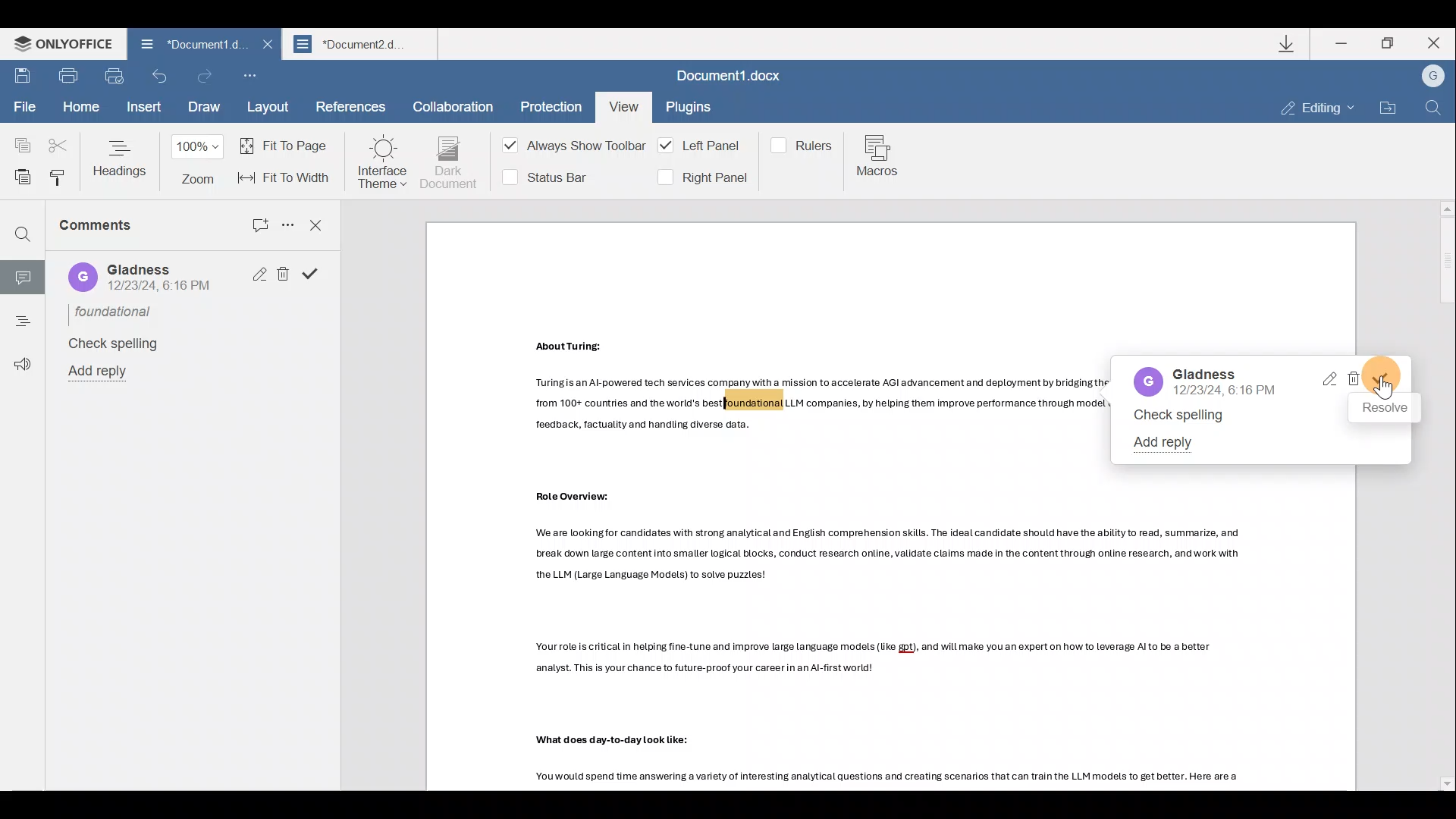 The width and height of the screenshot is (1456, 819). Describe the element at coordinates (282, 273) in the screenshot. I see `Delete comment` at that location.